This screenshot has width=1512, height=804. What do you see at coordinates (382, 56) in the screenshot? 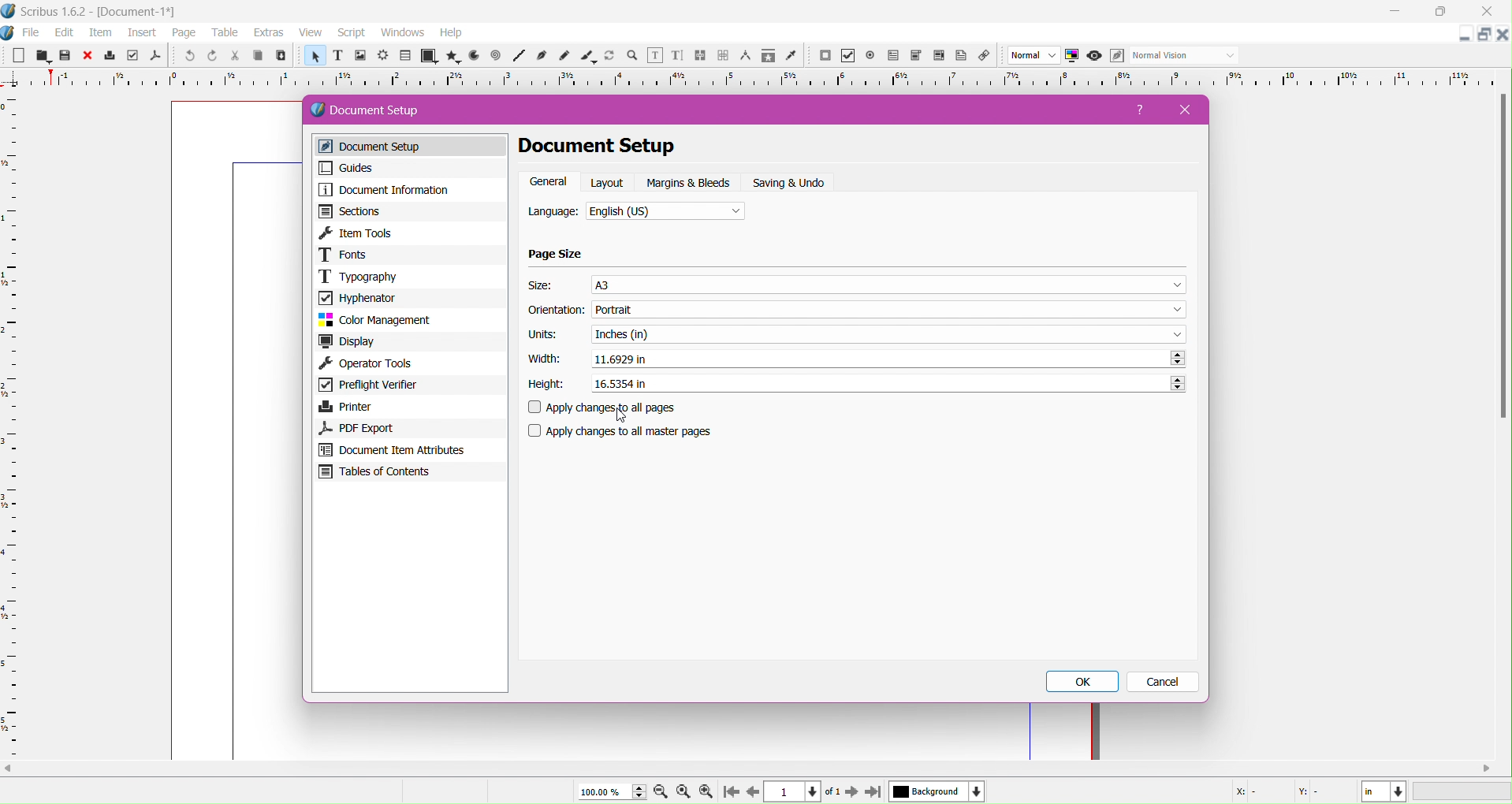
I see `render frame` at bounding box center [382, 56].